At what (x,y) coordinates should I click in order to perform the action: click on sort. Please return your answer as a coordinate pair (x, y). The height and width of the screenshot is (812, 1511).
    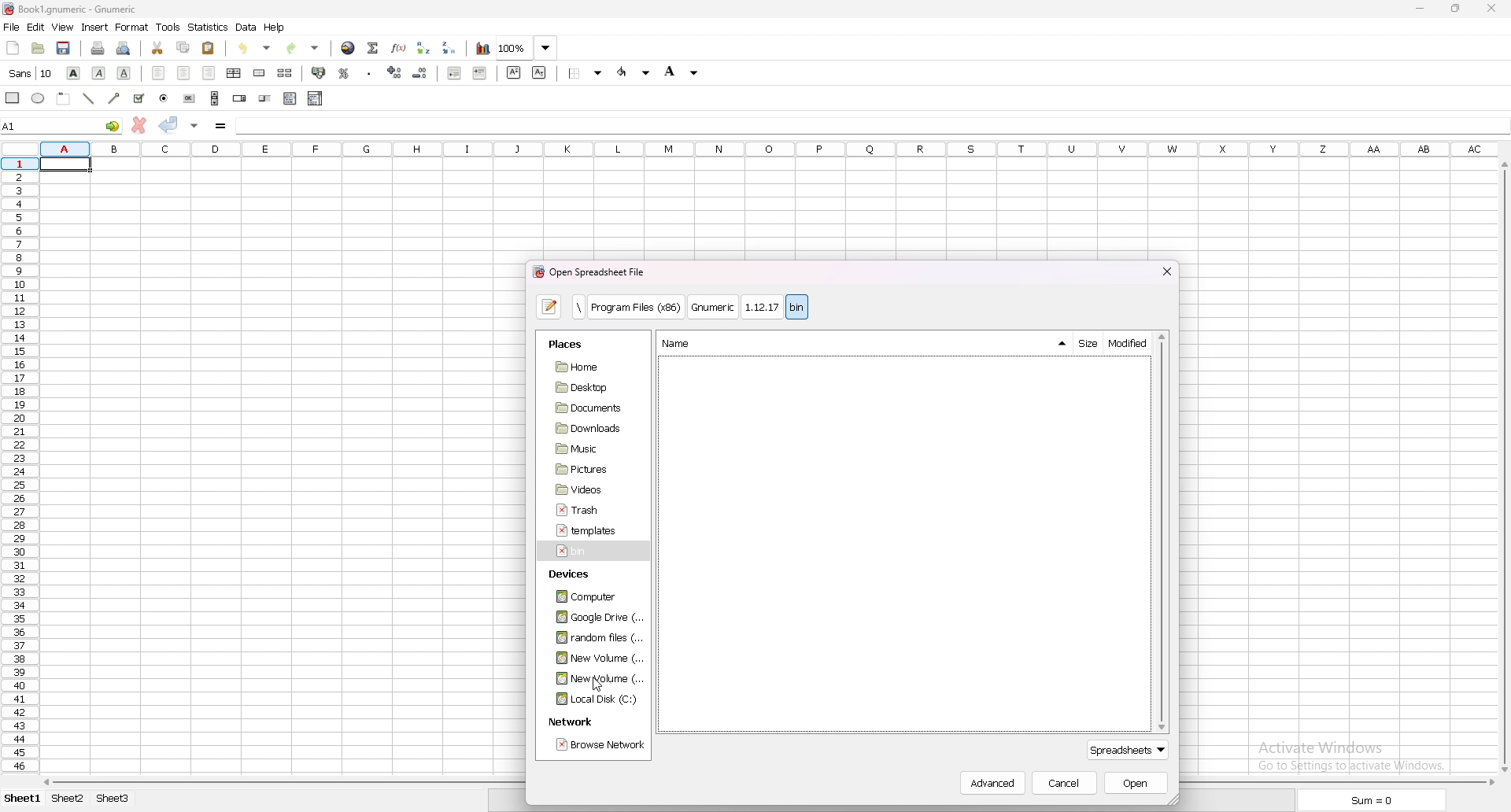
    Looking at the image, I should click on (1062, 343).